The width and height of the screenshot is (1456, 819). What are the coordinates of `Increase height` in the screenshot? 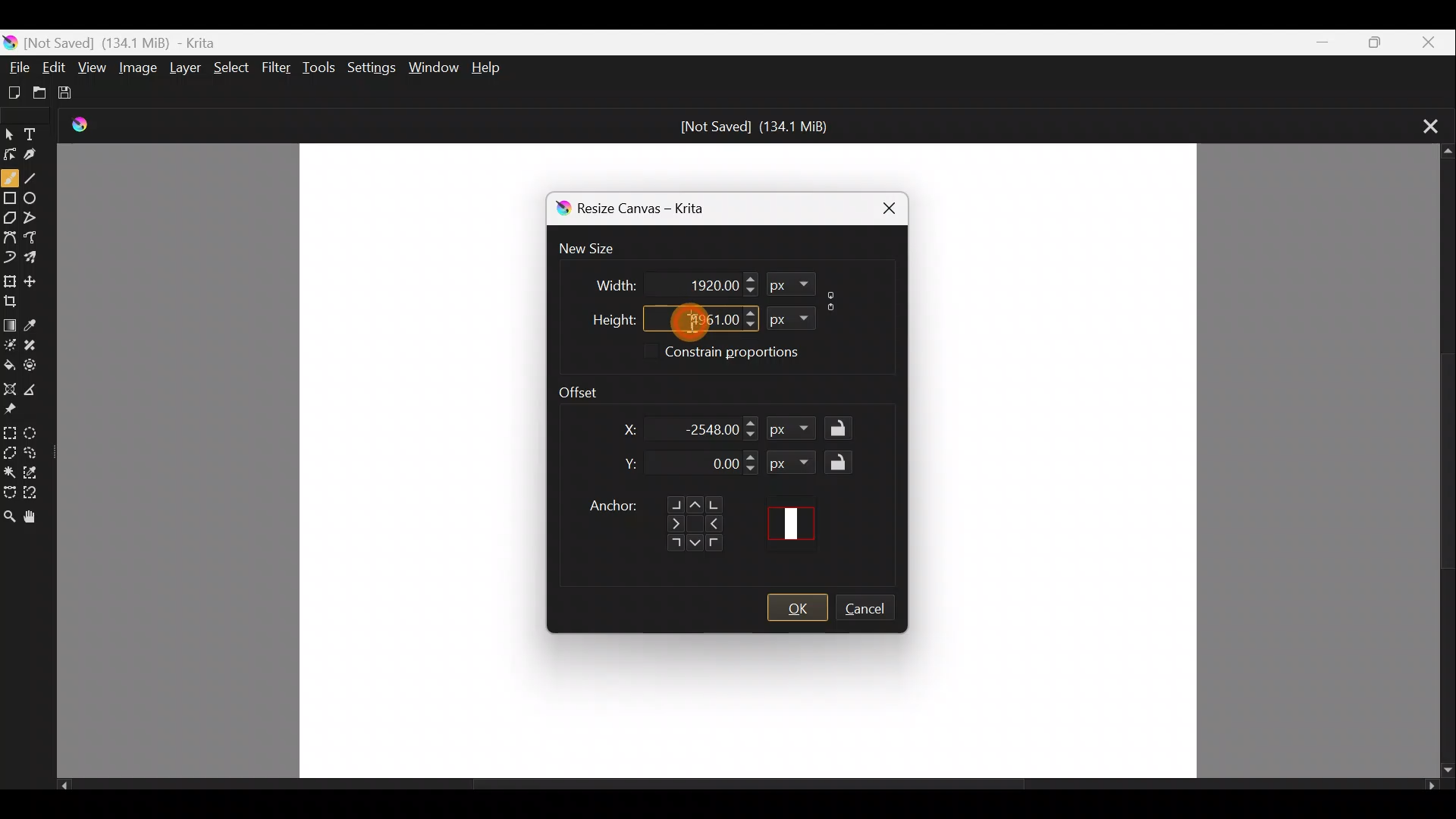 It's located at (748, 312).